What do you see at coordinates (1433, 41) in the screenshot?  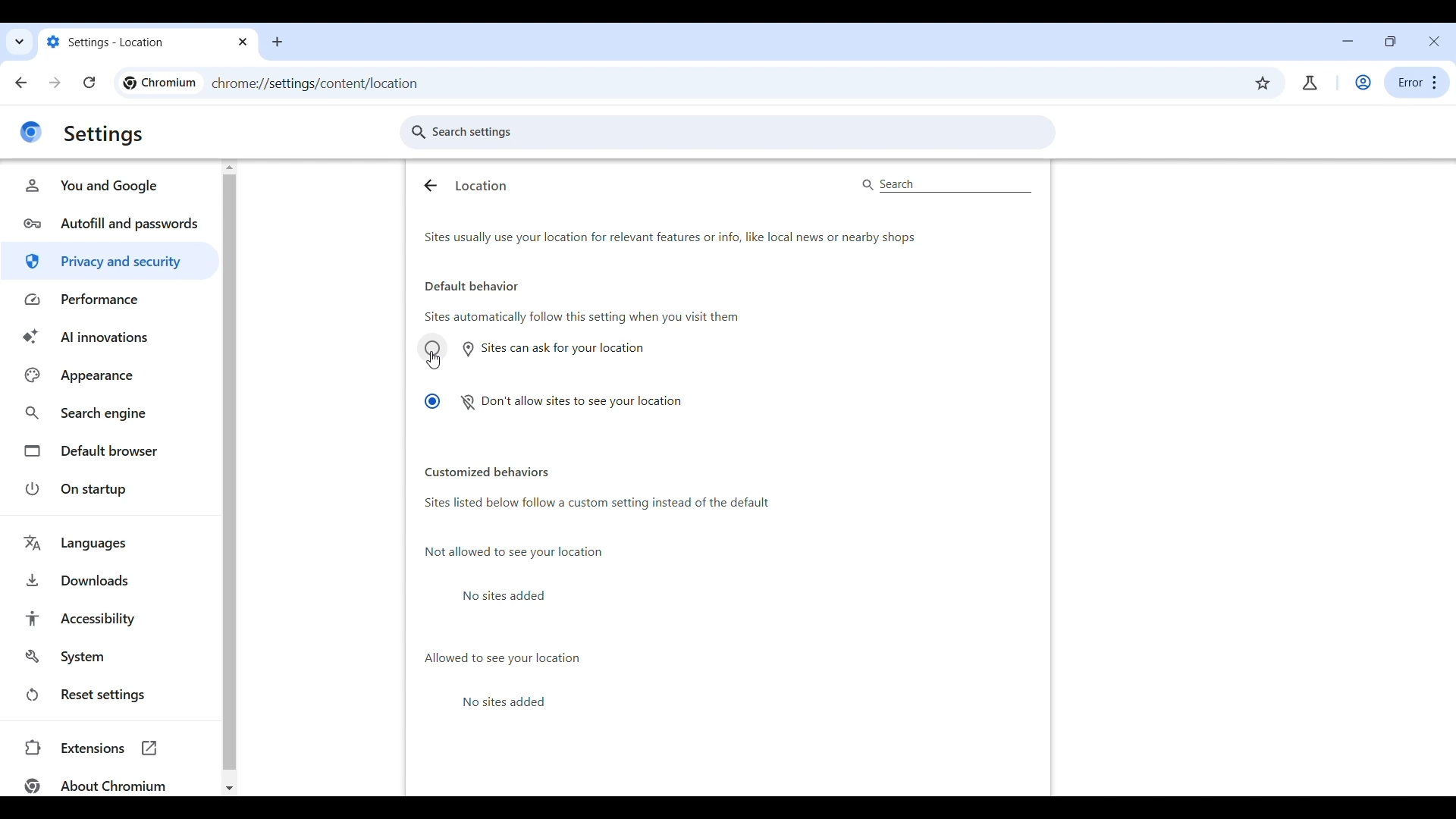 I see `Close interface` at bounding box center [1433, 41].